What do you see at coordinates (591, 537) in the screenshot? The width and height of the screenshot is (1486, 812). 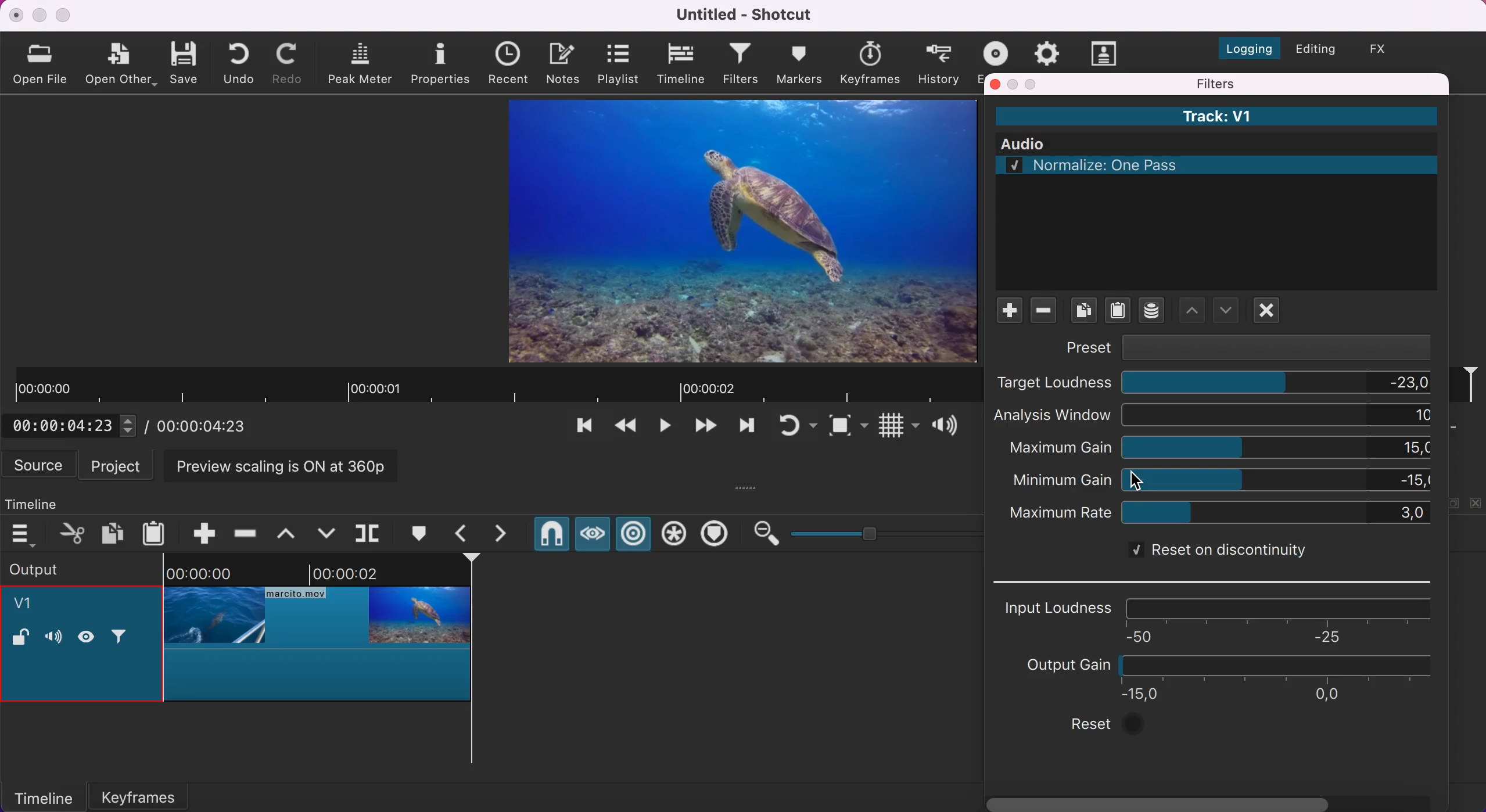 I see `scrub while draggins` at bounding box center [591, 537].